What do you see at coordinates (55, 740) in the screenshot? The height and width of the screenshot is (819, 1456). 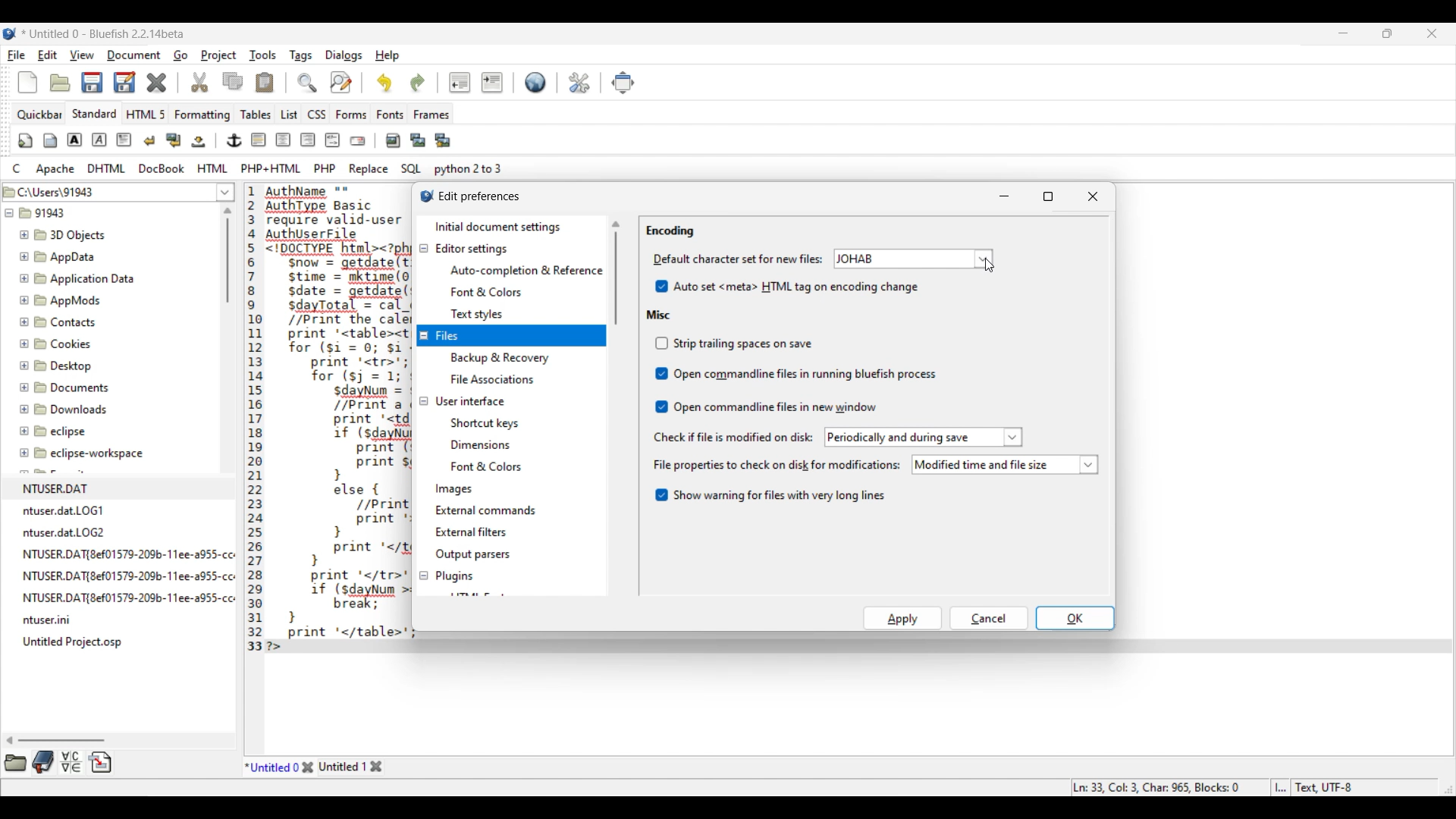 I see `Horizontal slide bar` at bounding box center [55, 740].